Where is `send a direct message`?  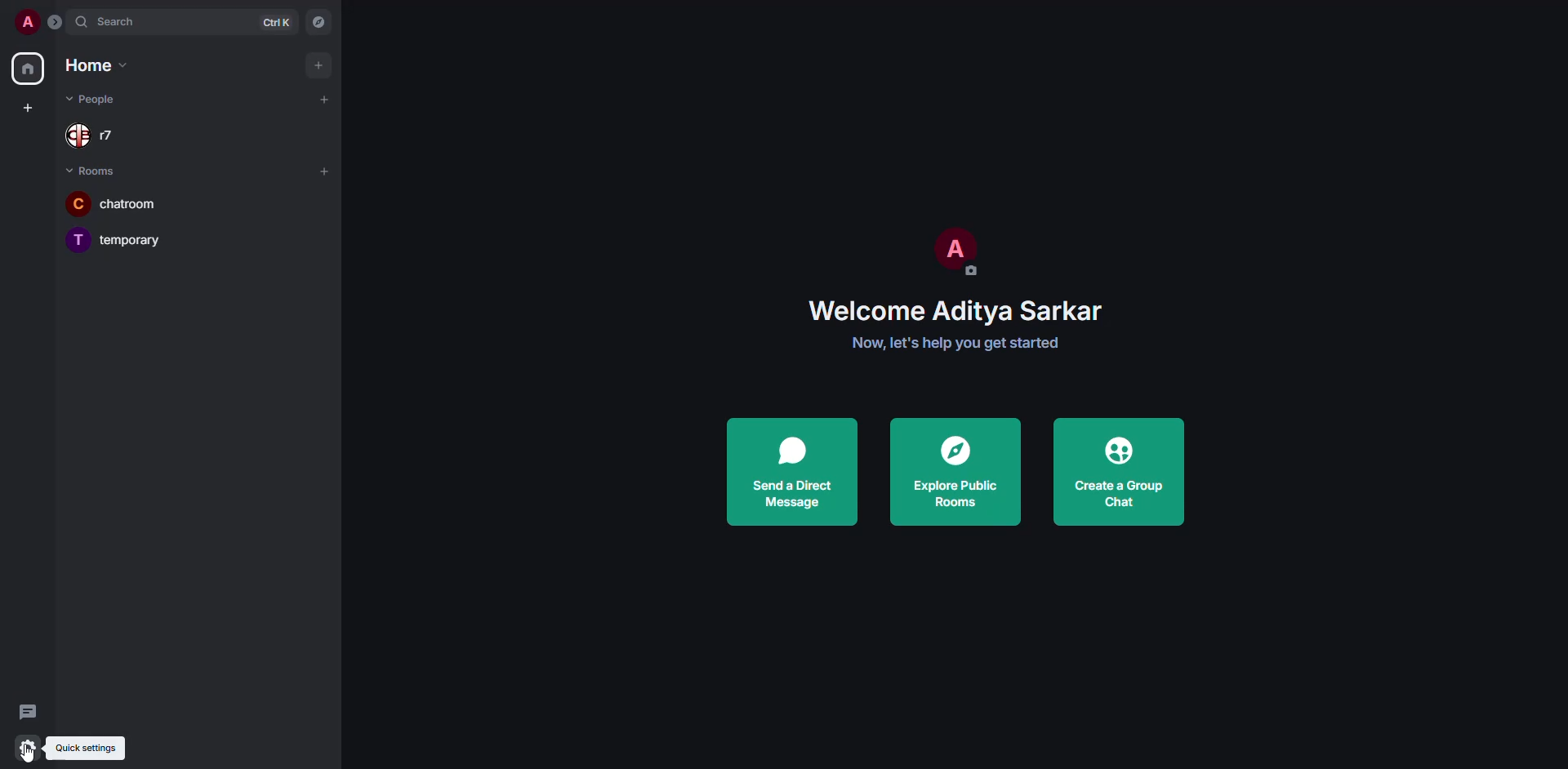
send a direct message is located at coordinates (794, 468).